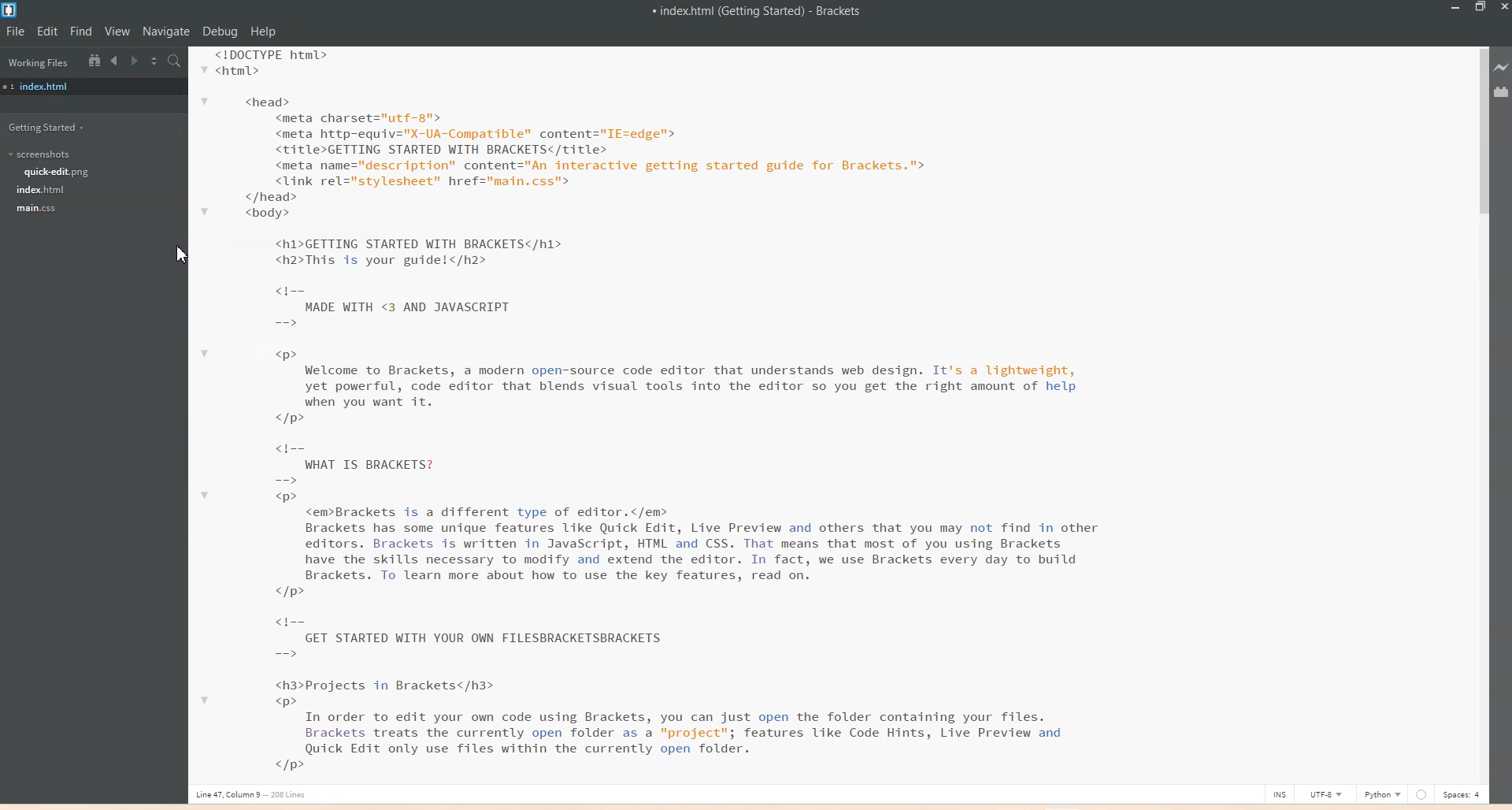 This screenshot has height=810, width=1512. I want to click on Edit, so click(49, 31).